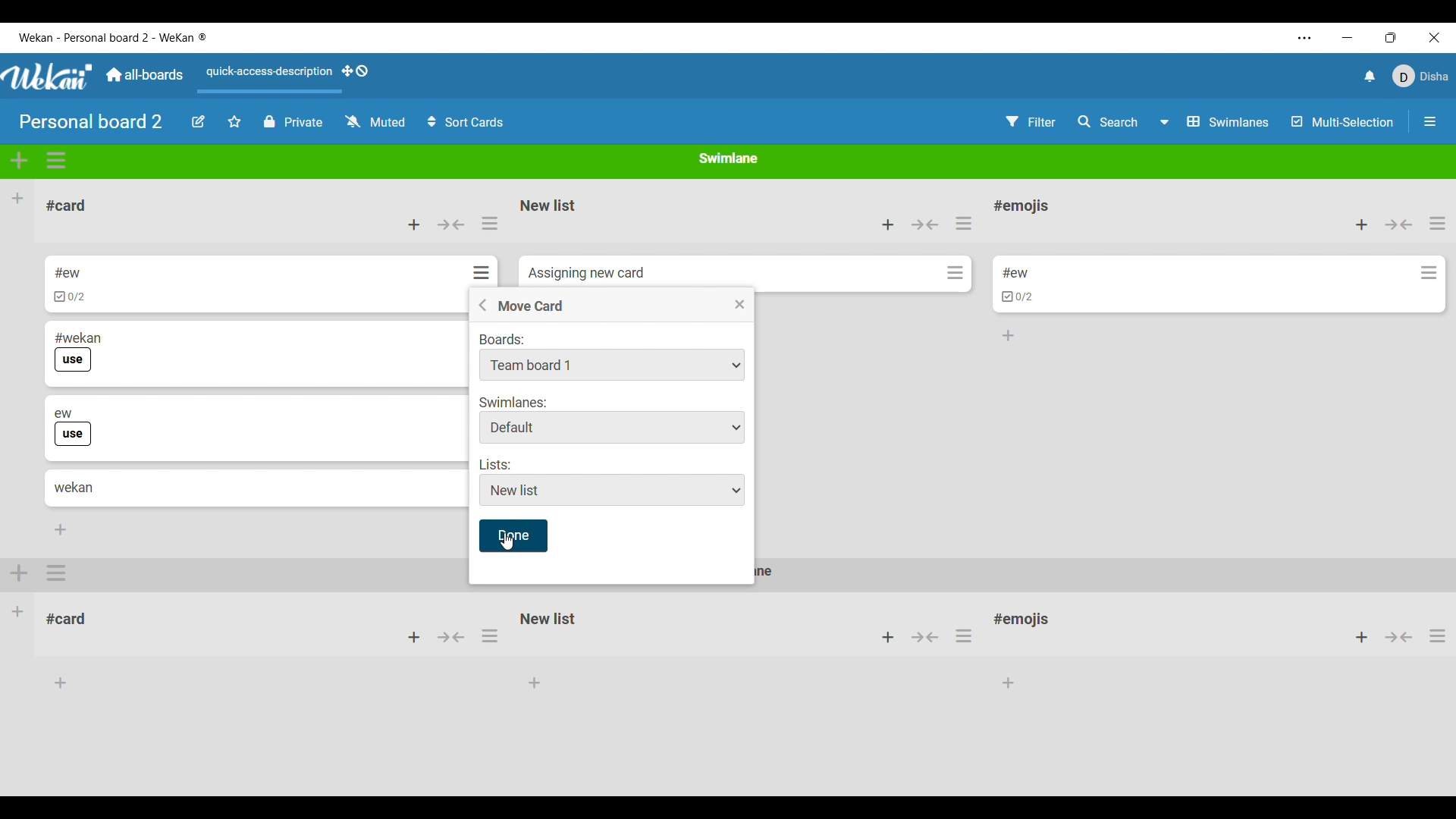 The width and height of the screenshot is (1456, 819). What do you see at coordinates (112, 37) in the screenshot?
I see `Software name and board name` at bounding box center [112, 37].